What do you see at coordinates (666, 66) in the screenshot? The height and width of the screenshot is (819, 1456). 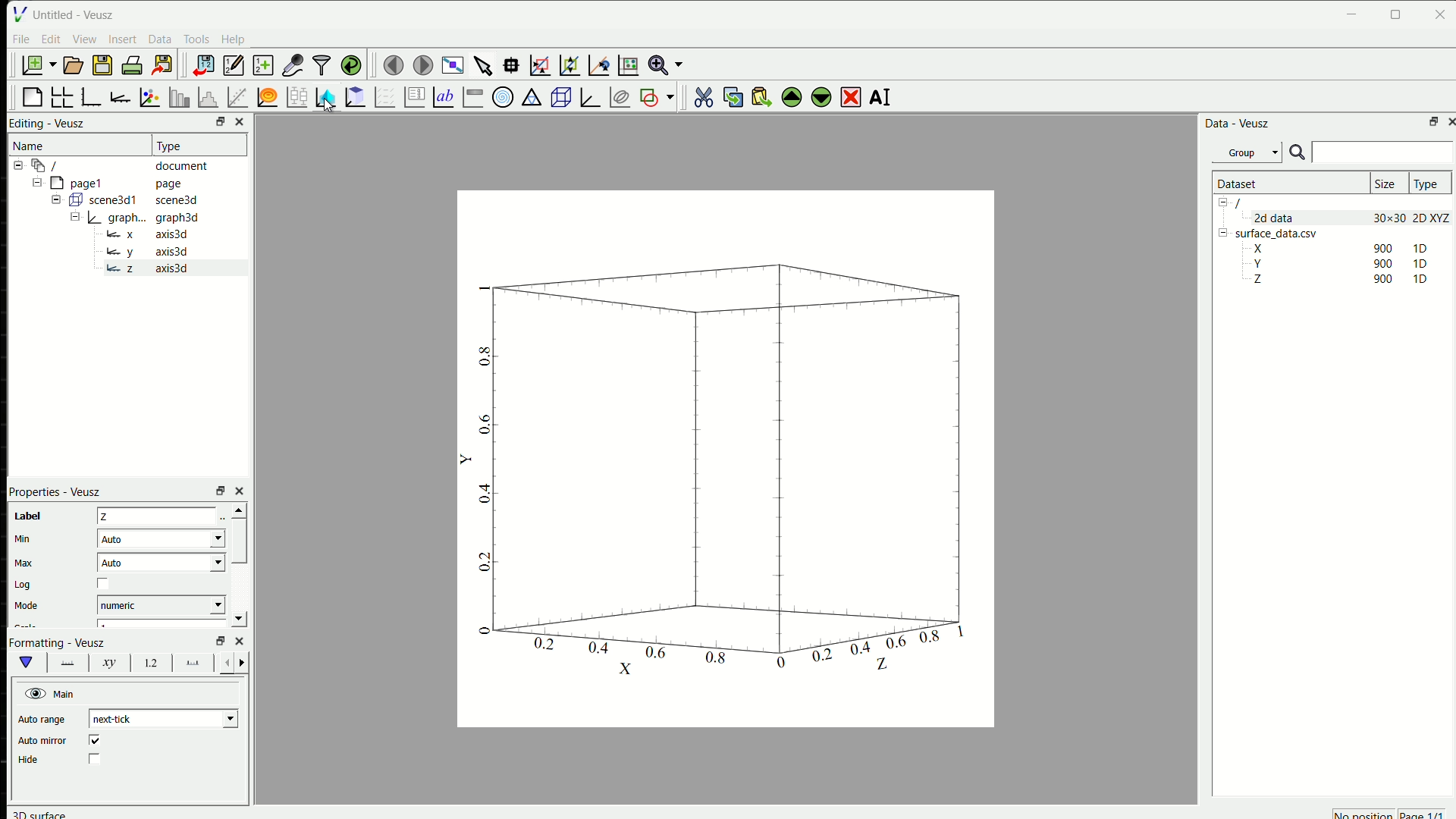 I see `zoom functions menu` at bounding box center [666, 66].